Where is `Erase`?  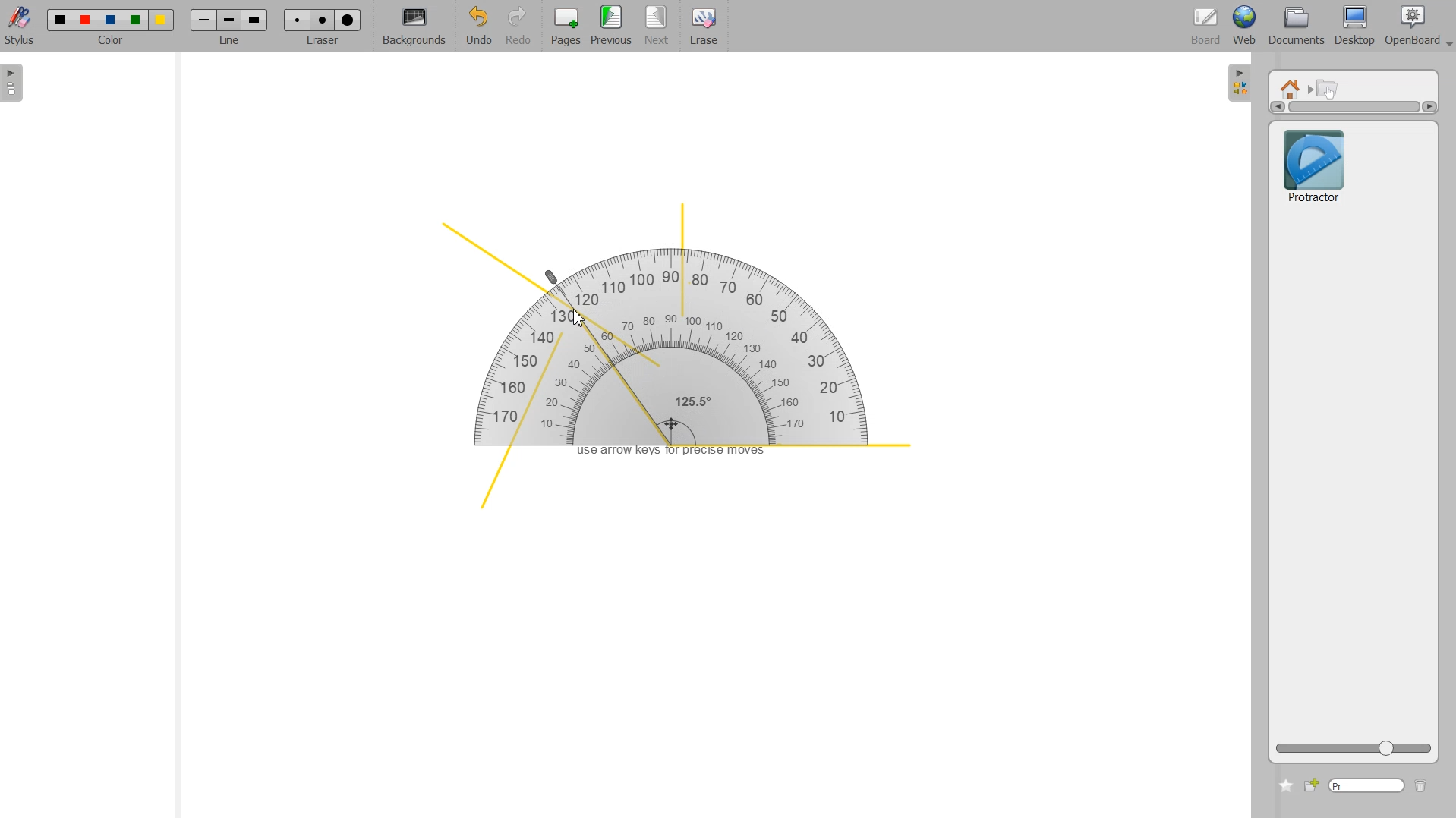 Erase is located at coordinates (322, 20).